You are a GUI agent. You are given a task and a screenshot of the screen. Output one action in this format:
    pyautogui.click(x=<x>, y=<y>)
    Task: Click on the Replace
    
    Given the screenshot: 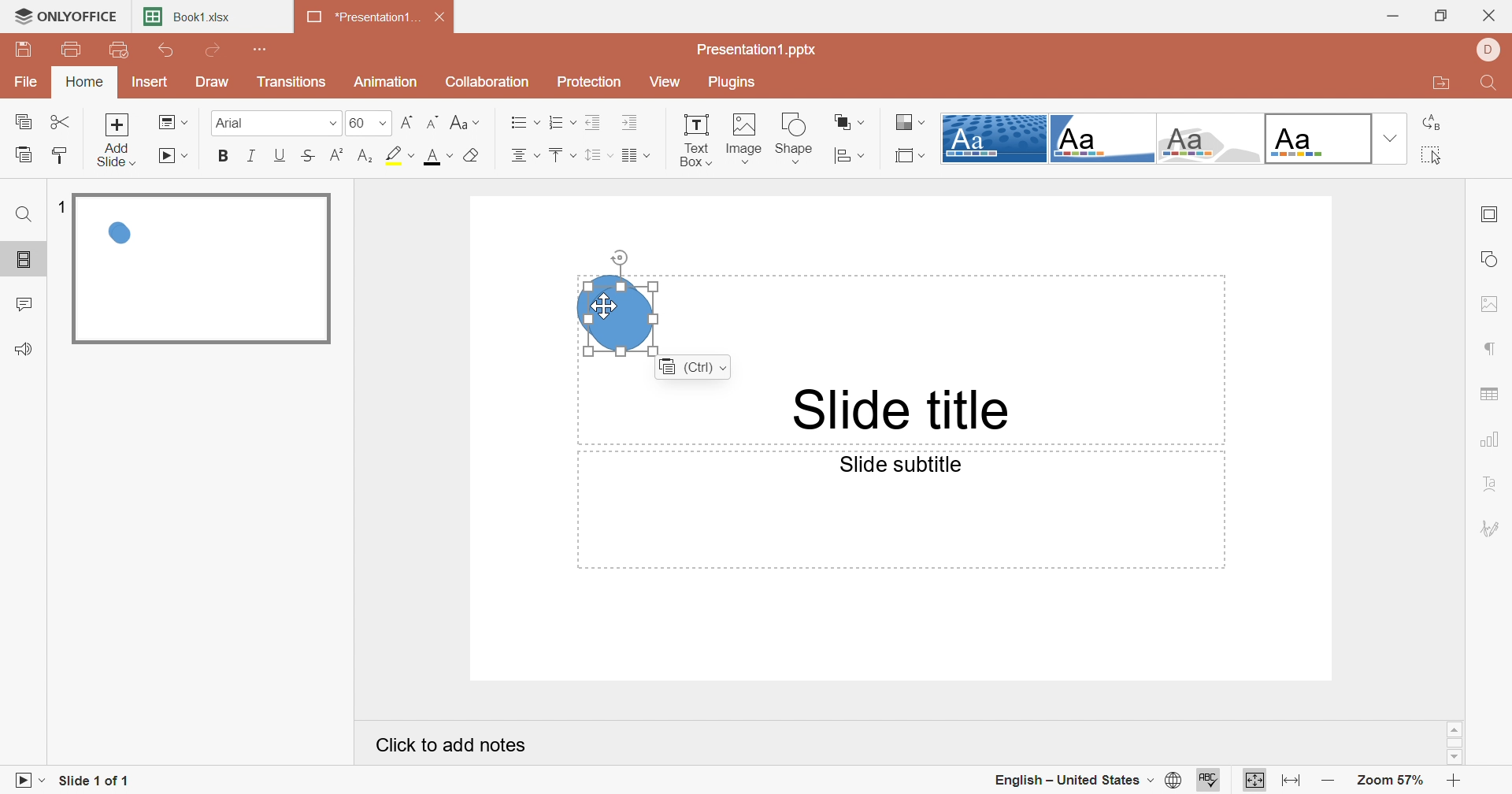 What is the action you would take?
    pyautogui.click(x=1432, y=123)
    